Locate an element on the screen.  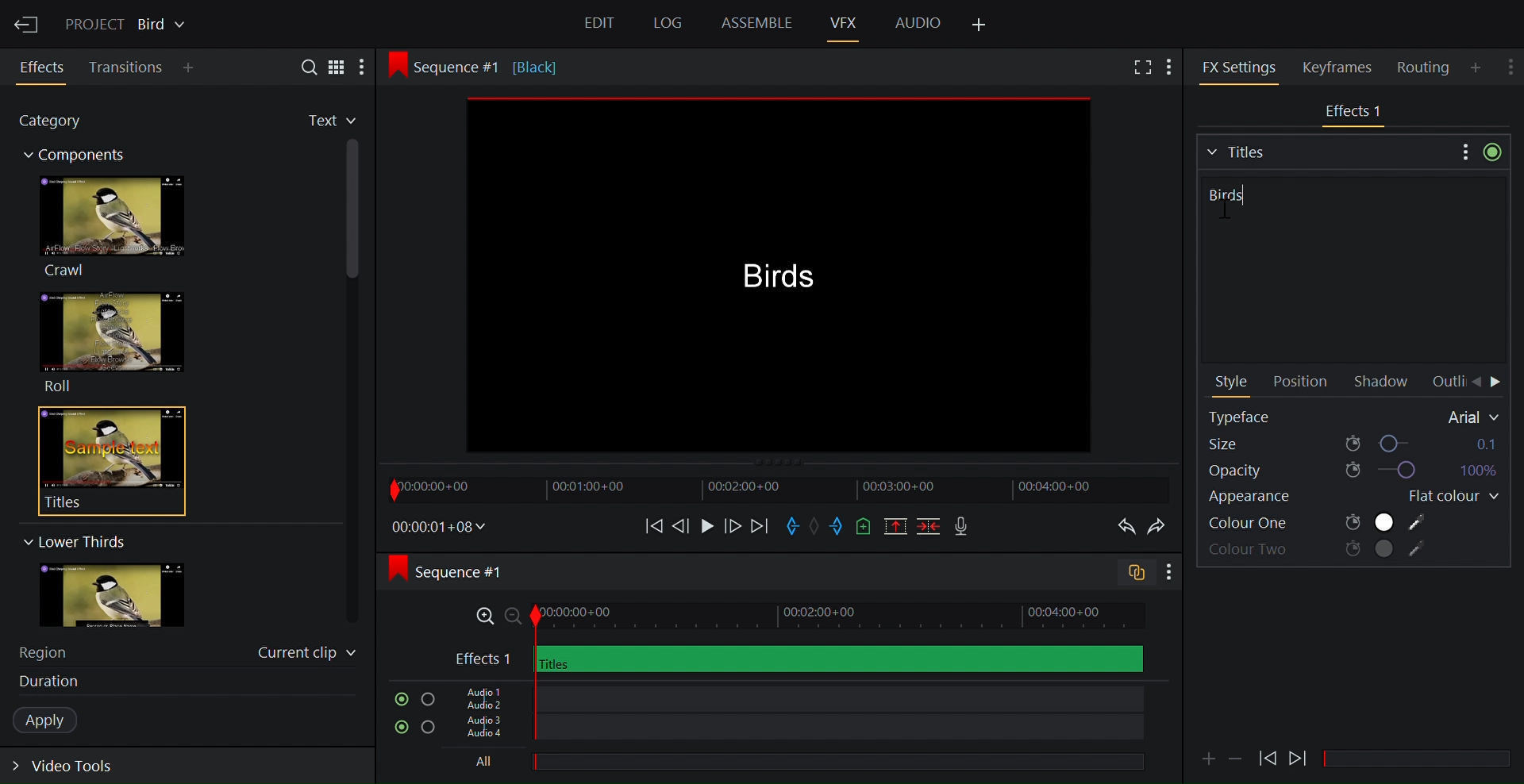
Nudge one frame forward is located at coordinates (731, 525).